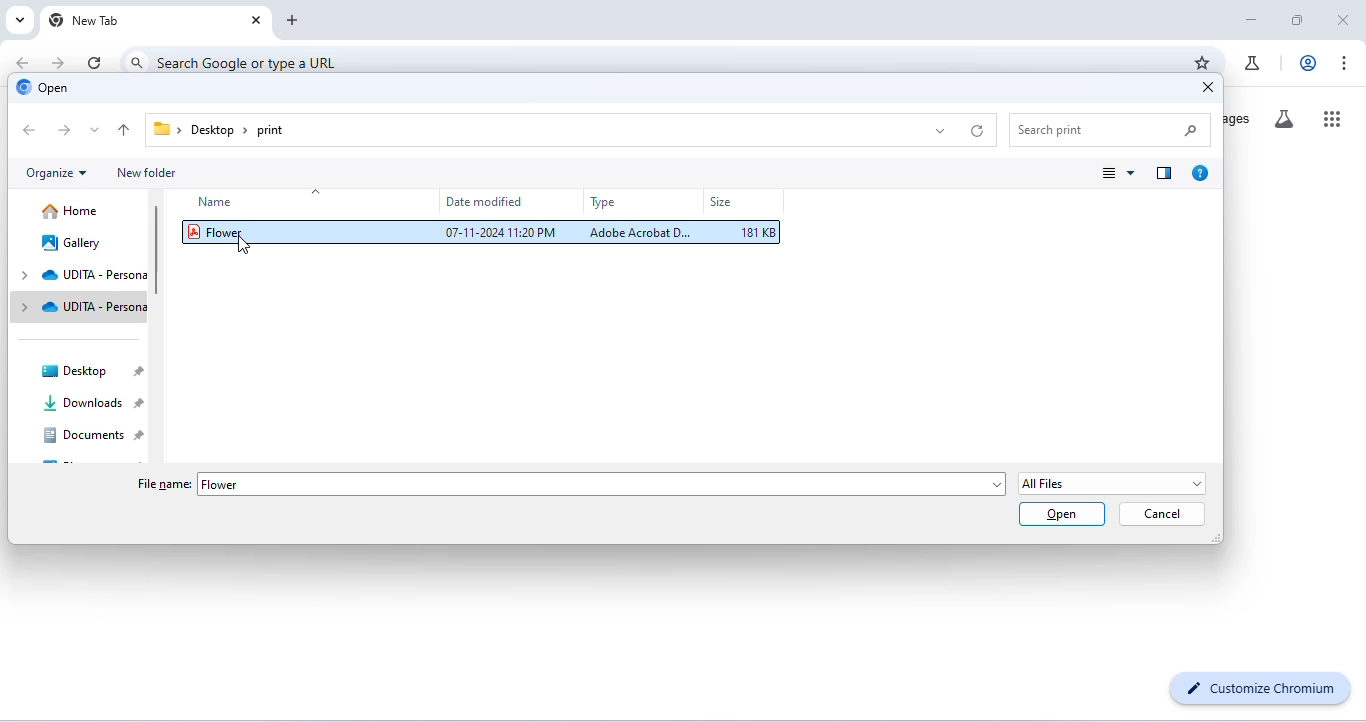 The image size is (1366, 722). Describe the element at coordinates (90, 369) in the screenshot. I see `desktop` at that location.